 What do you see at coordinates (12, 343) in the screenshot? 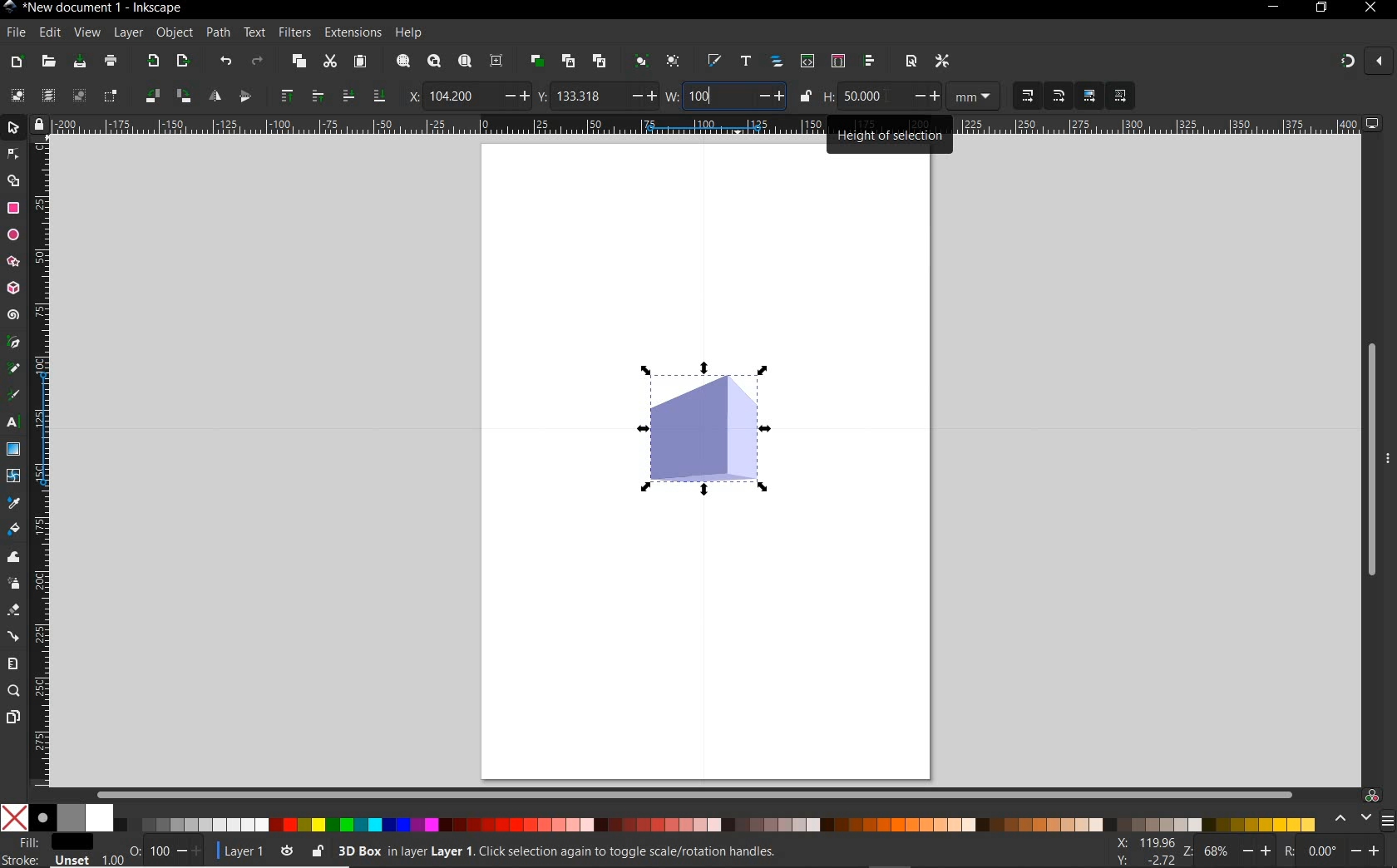
I see `pen tool` at bounding box center [12, 343].